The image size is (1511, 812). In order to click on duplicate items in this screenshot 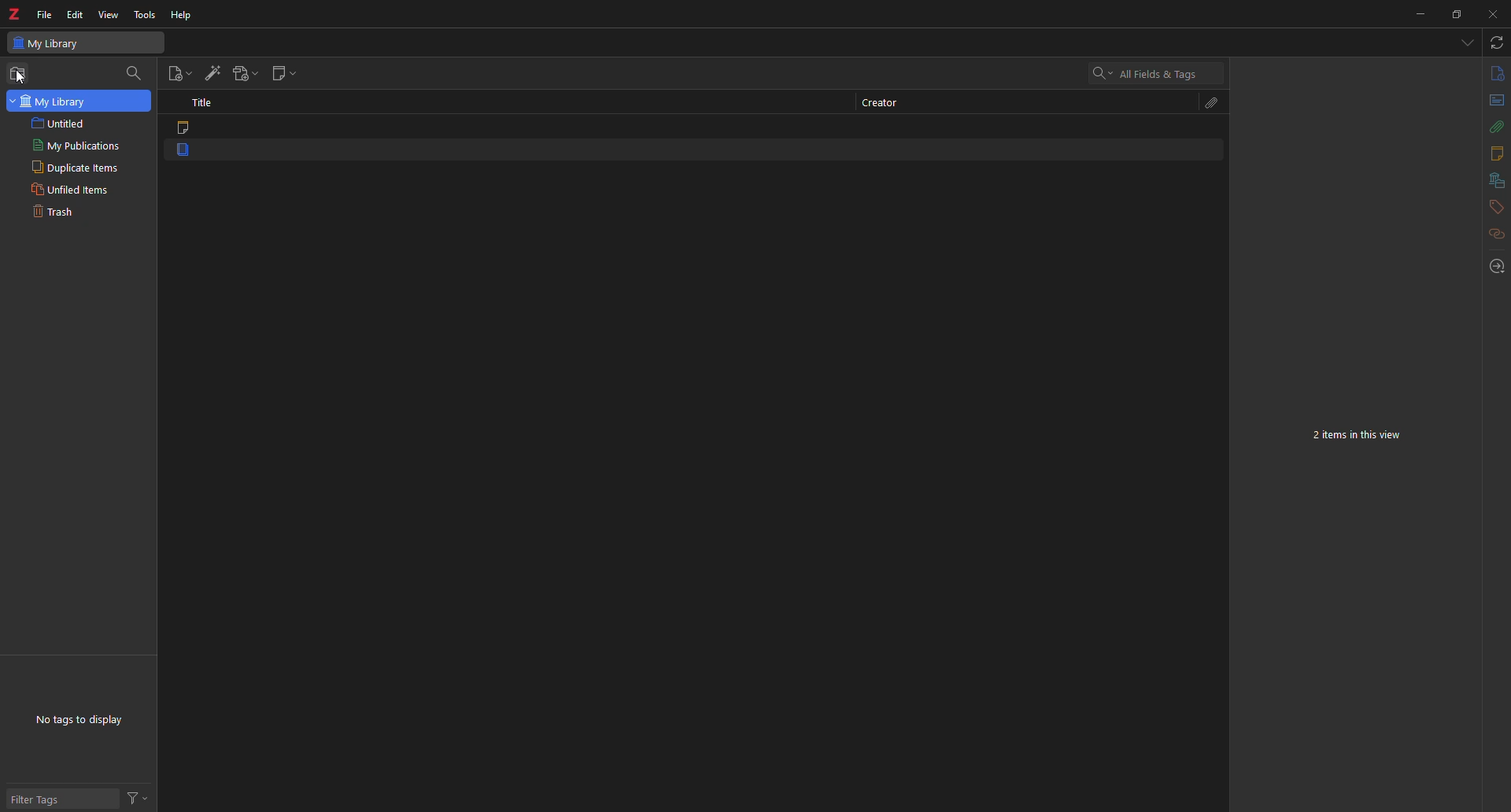, I will do `click(73, 167)`.